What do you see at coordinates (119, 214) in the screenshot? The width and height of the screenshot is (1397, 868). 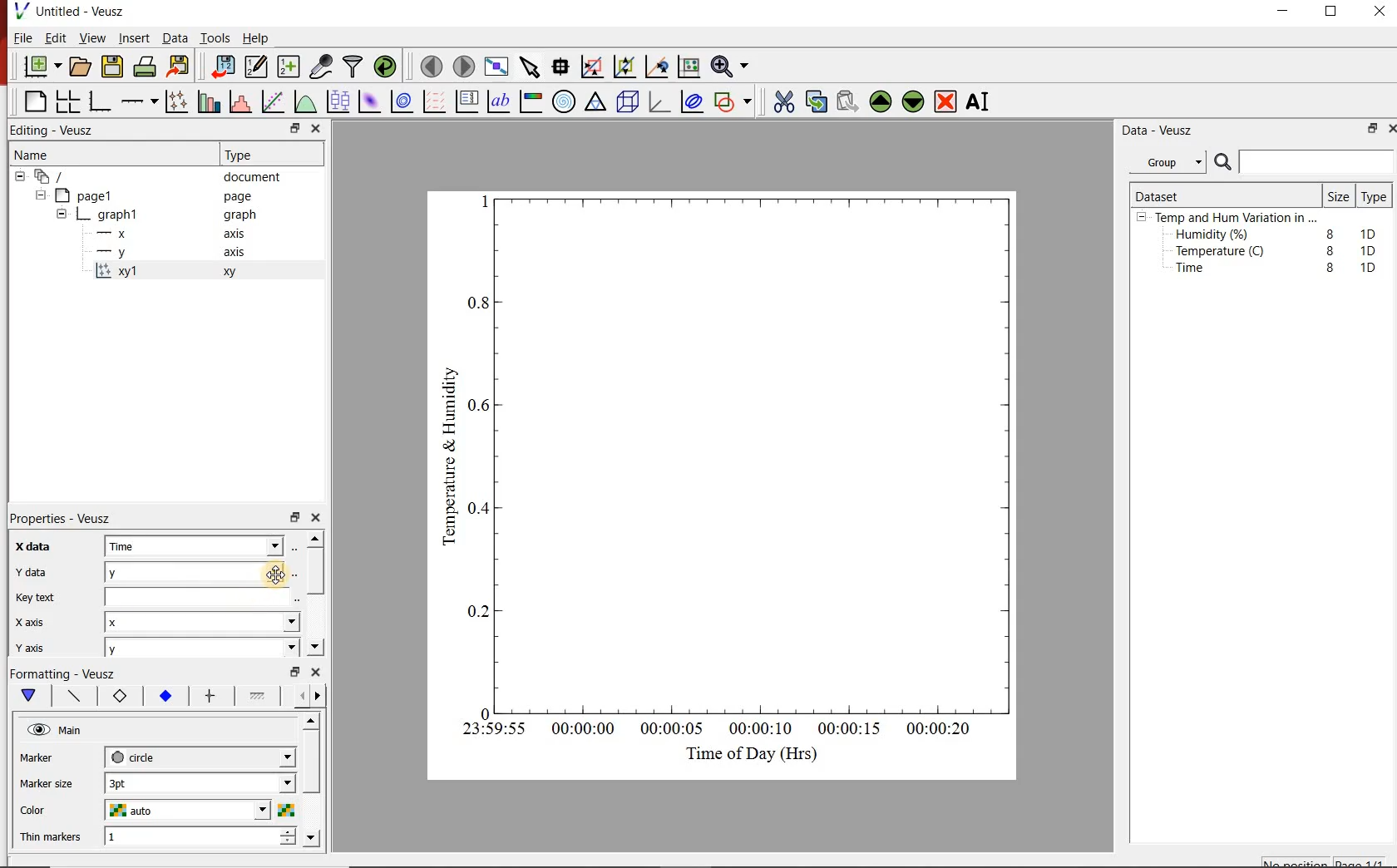 I see `graph` at bounding box center [119, 214].